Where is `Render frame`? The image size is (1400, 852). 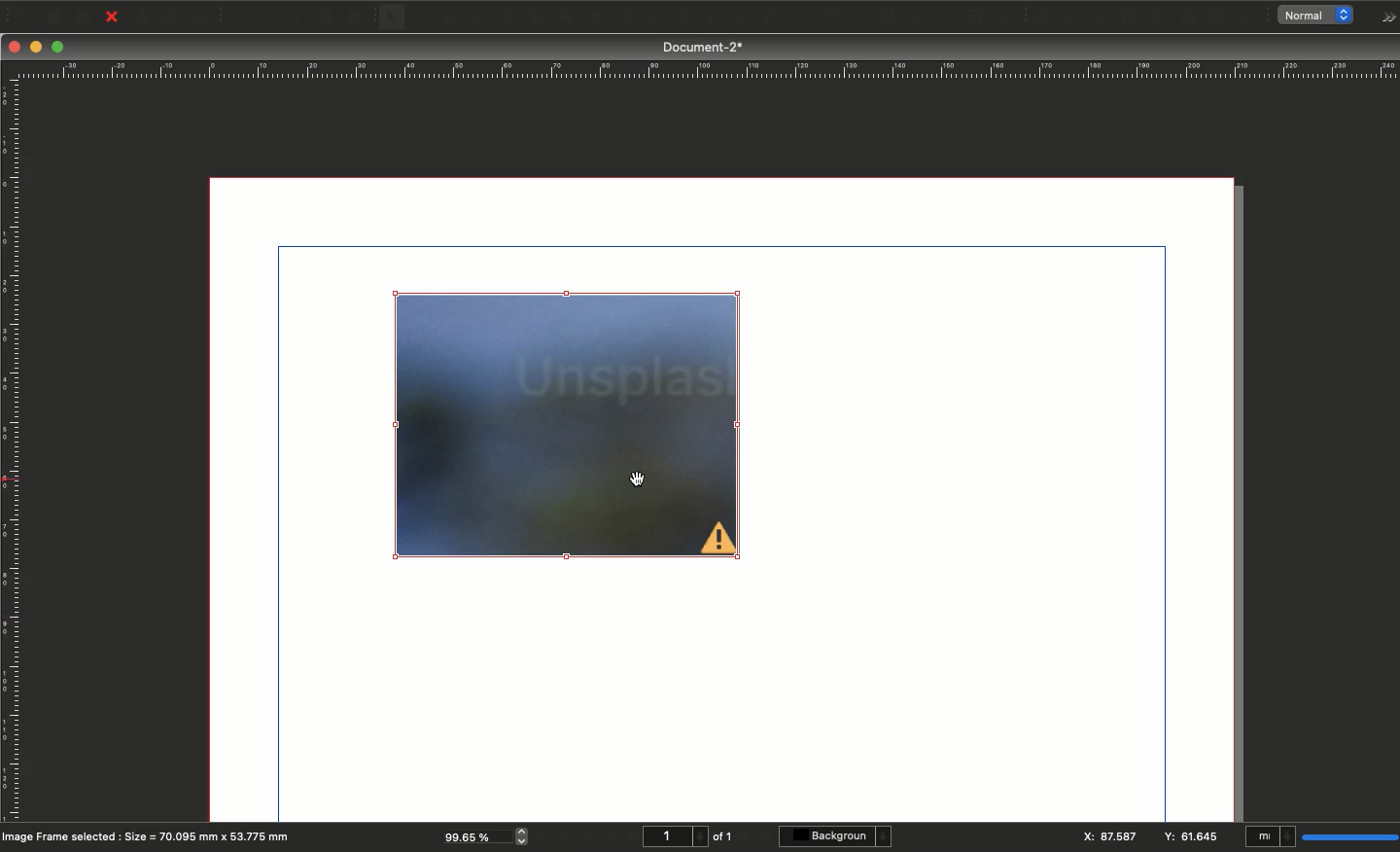
Render frame is located at coordinates (477, 18).